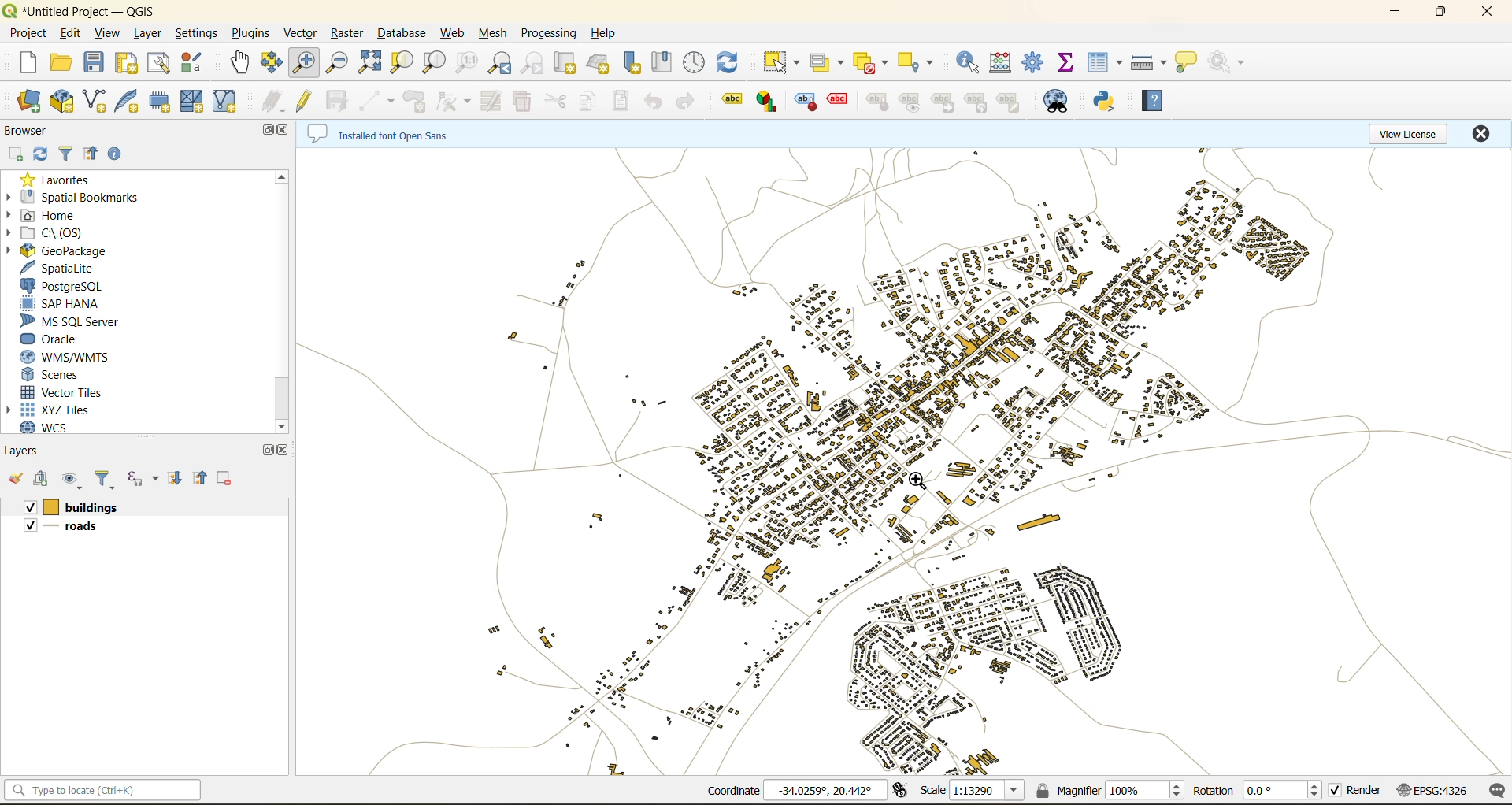  What do you see at coordinates (454, 102) in the screenshot?
I see `vertex tools` at bounding box center [454, 102].